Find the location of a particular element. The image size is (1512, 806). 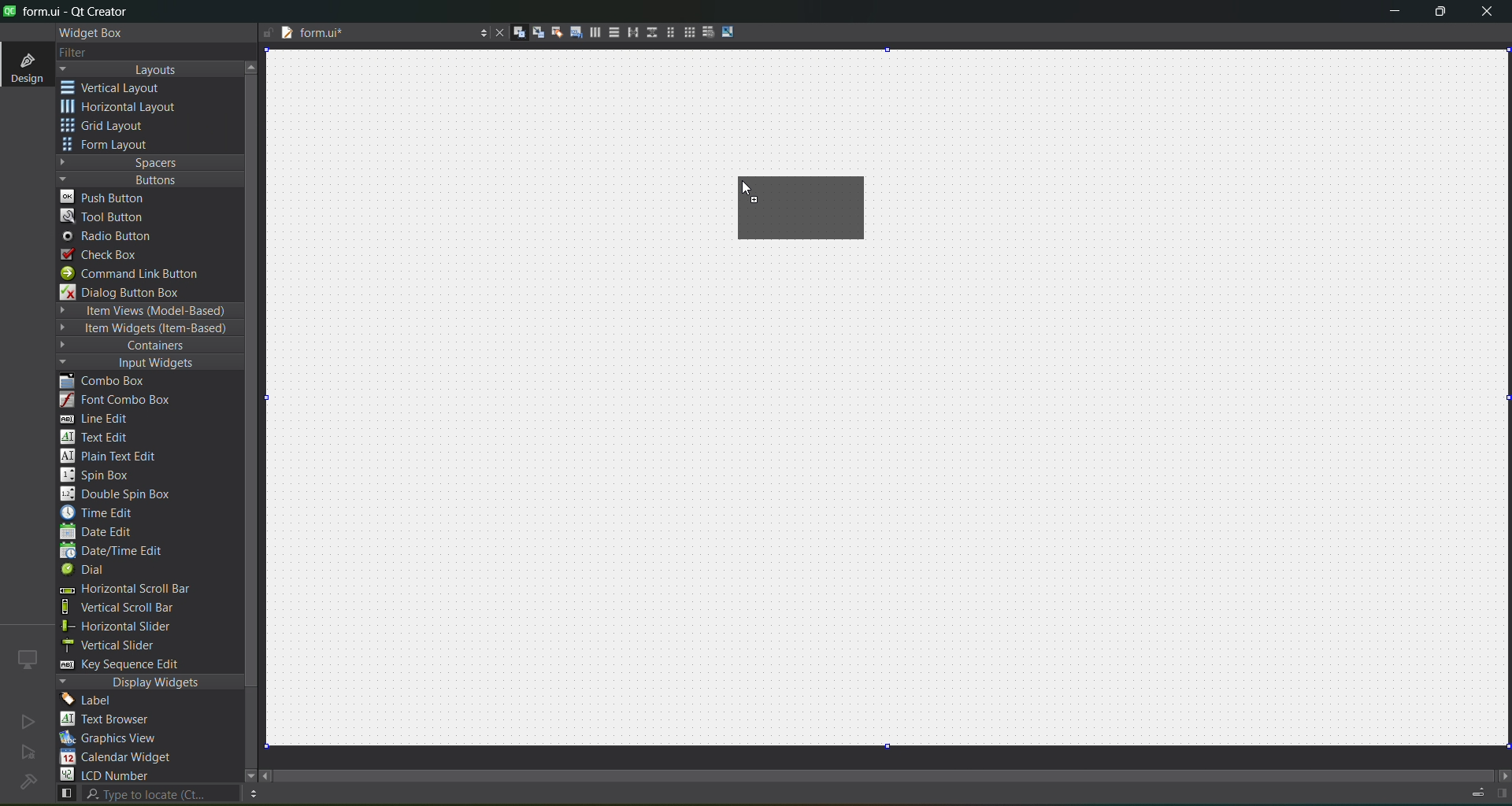

containers is located at coordinates (142, 346).